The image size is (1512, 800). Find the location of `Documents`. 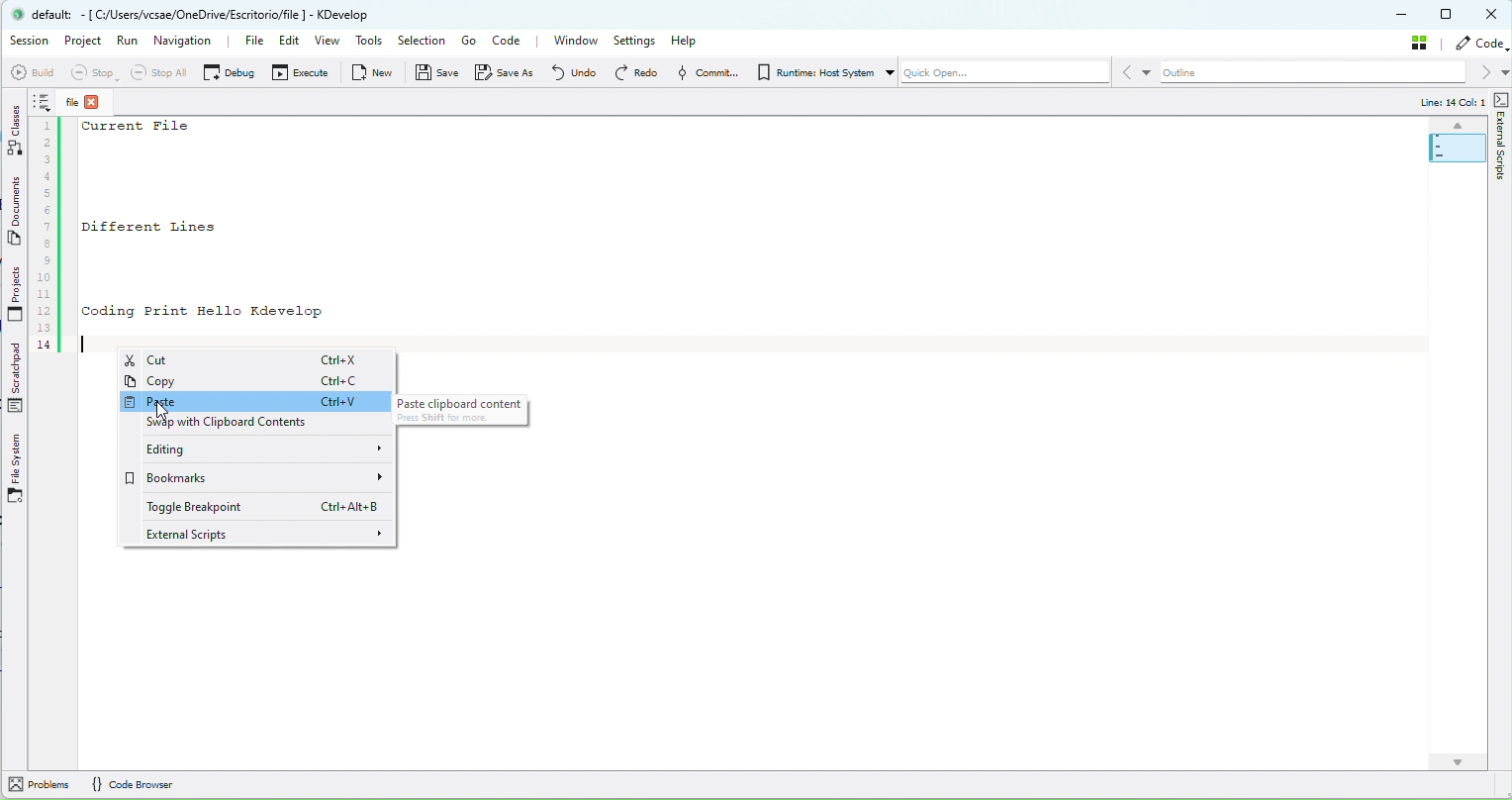

Documents is located at coordinates (17, 214).